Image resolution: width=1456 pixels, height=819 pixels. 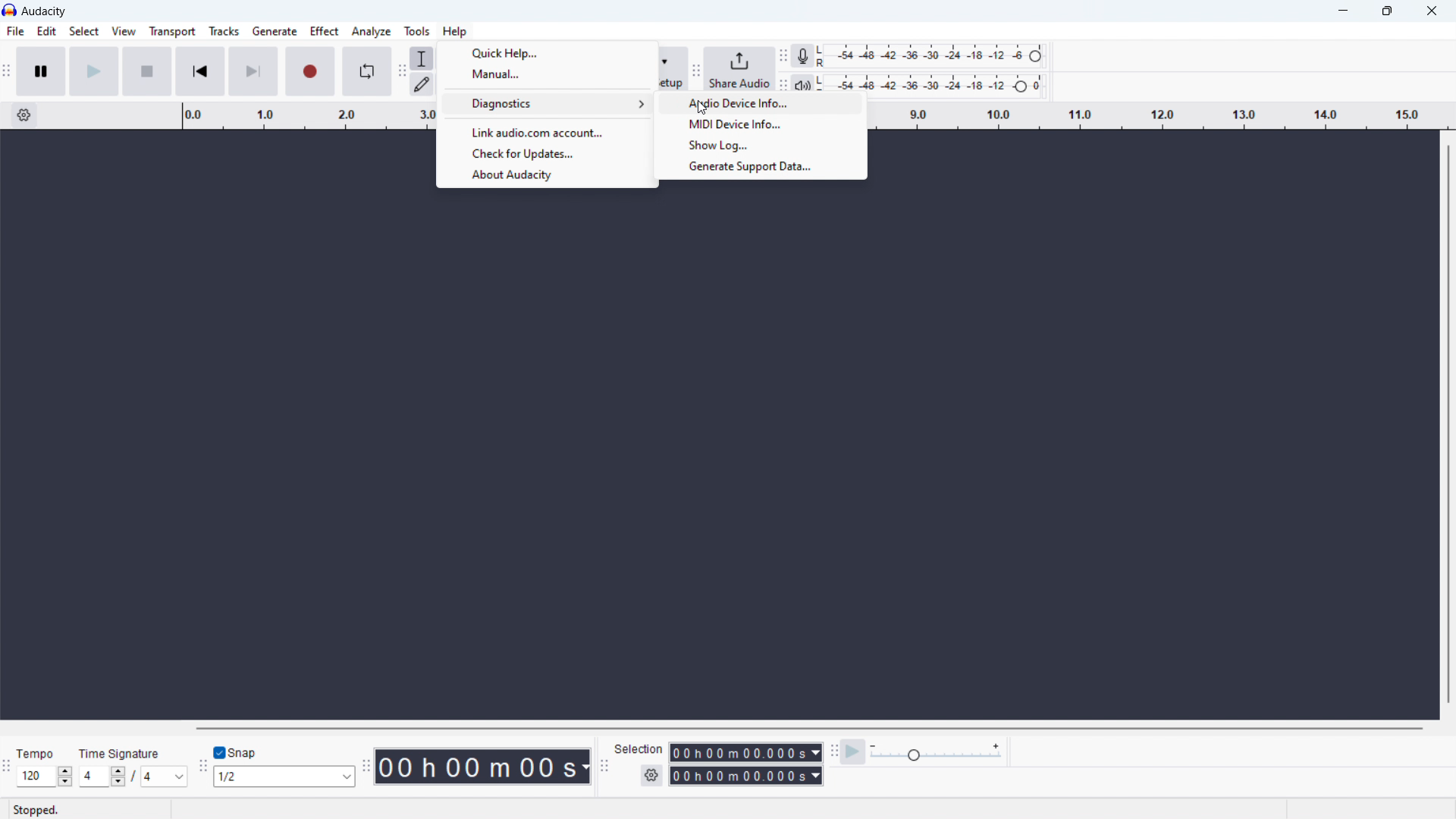 I want to click on link audio.com account, so click(x=547, y=132).